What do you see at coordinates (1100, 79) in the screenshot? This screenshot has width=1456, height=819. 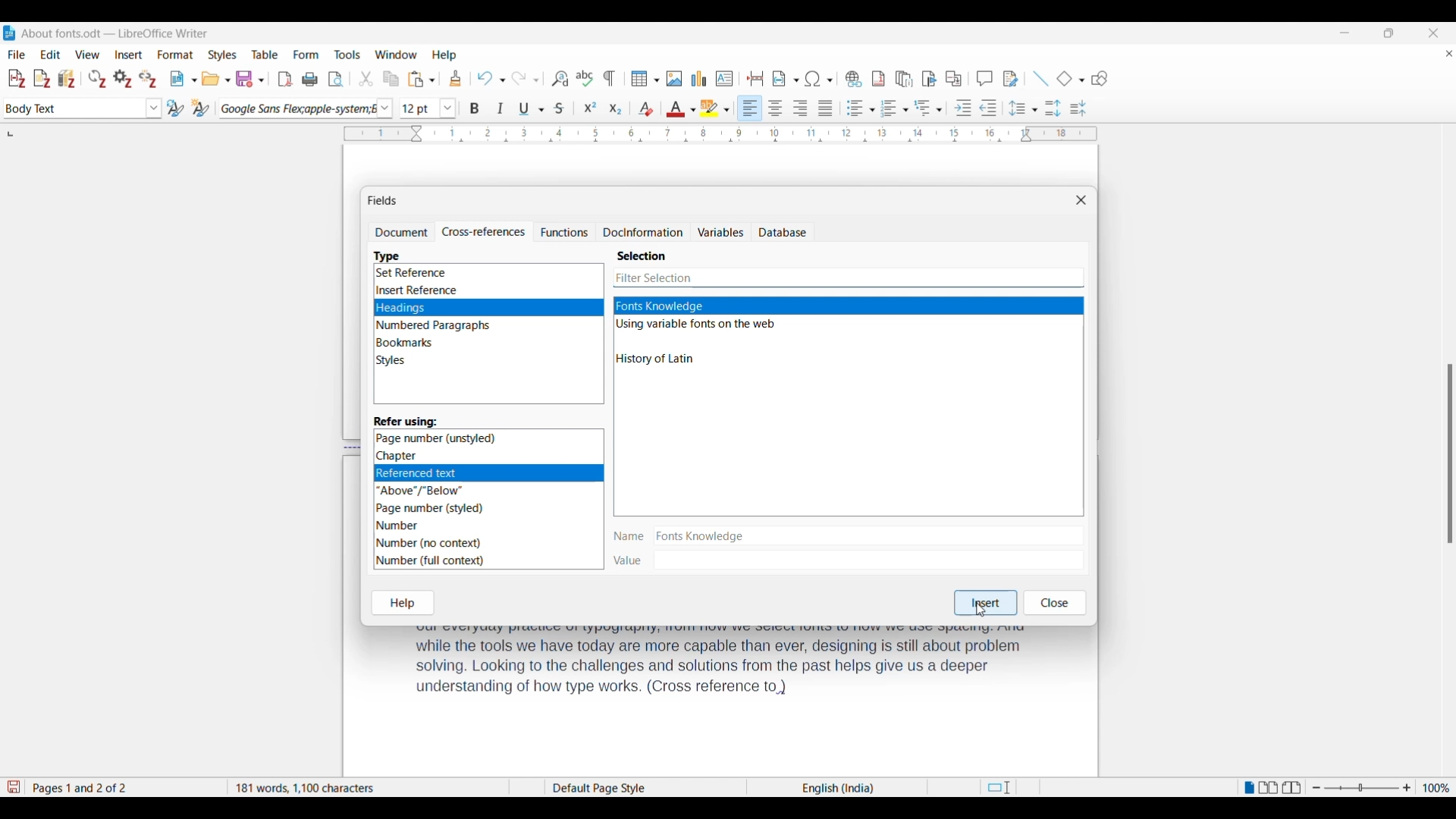 I see `Show draw functions` at bounding box center [1100, 79].